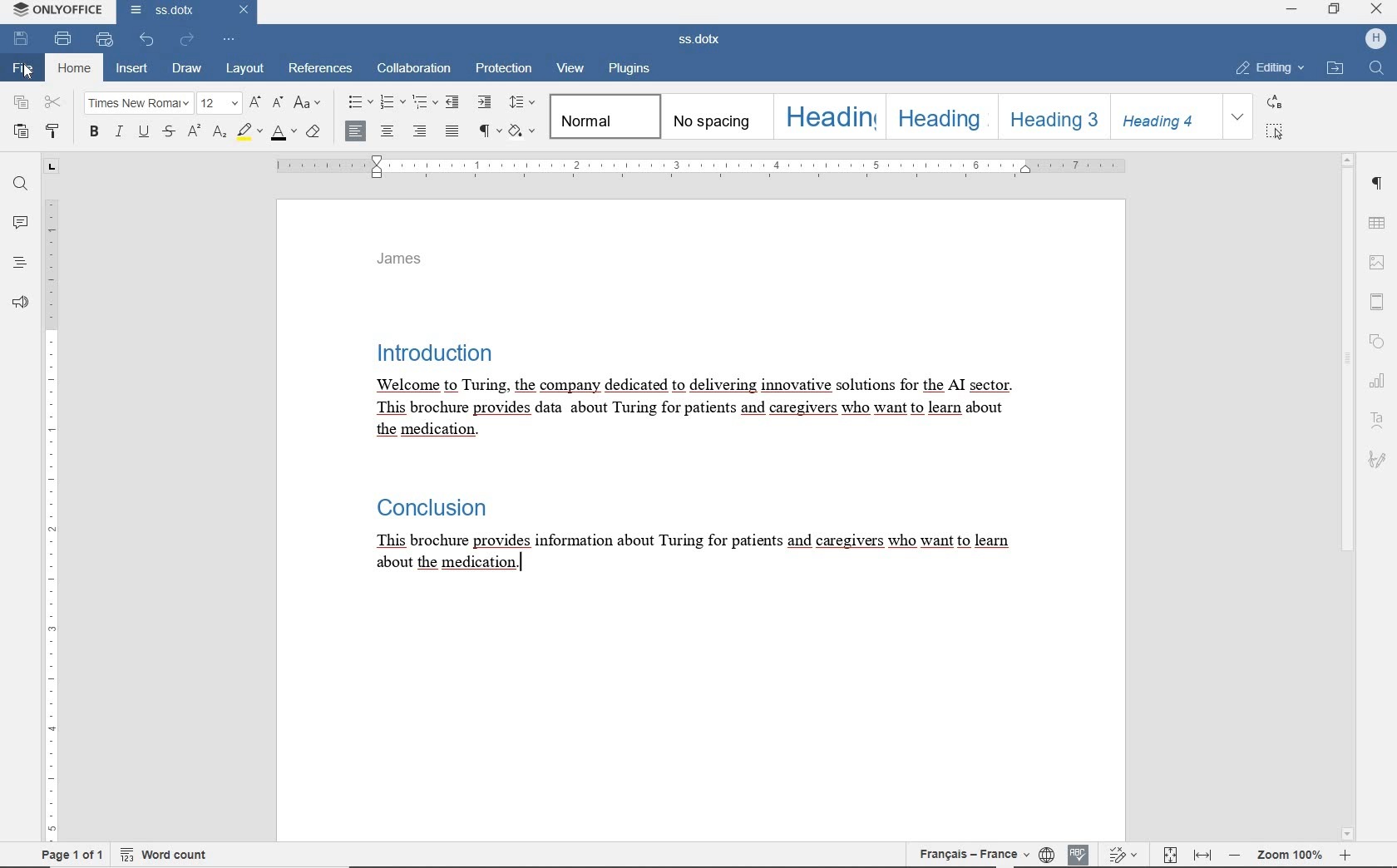 This screenshot has height=868, width=1397. Describe the element at coordinates (1127, 853) in the screenshot. I see `TRACK CHANGES` at that location.